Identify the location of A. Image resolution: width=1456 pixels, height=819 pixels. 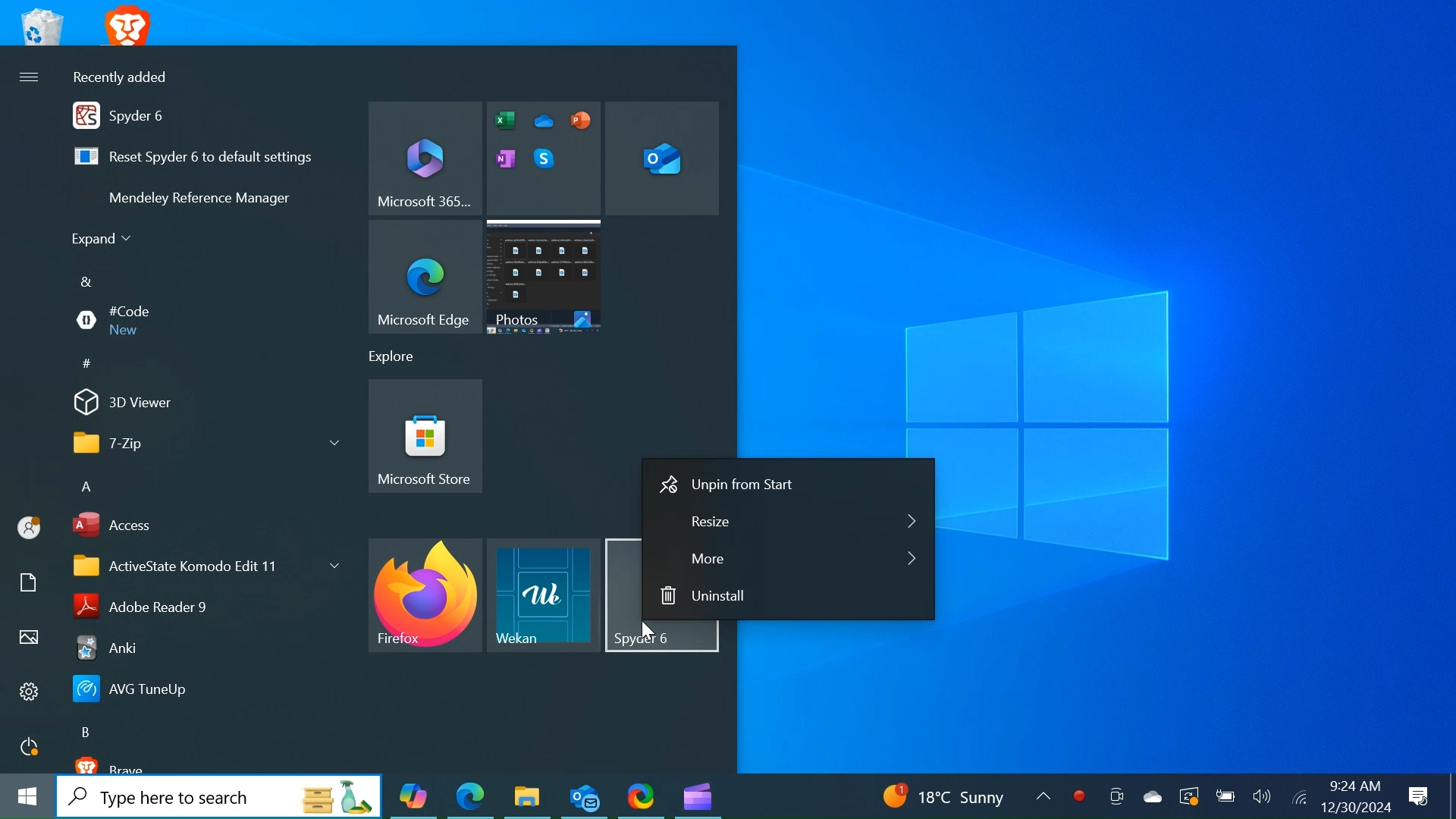
(87, 488).